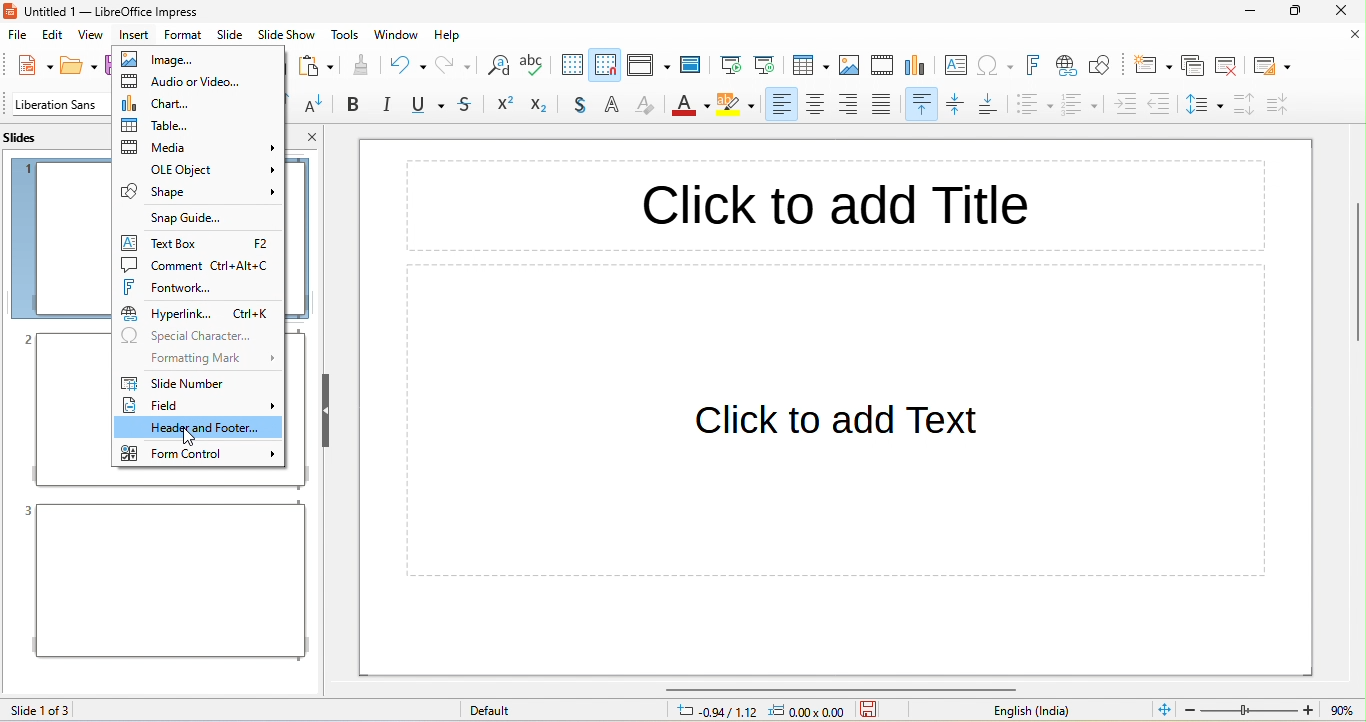 Image resolution: width=1366 pixels, height=722 pixels. Describe the element at coordinates (397, 34) in the screenshot. I see `window` at that location.